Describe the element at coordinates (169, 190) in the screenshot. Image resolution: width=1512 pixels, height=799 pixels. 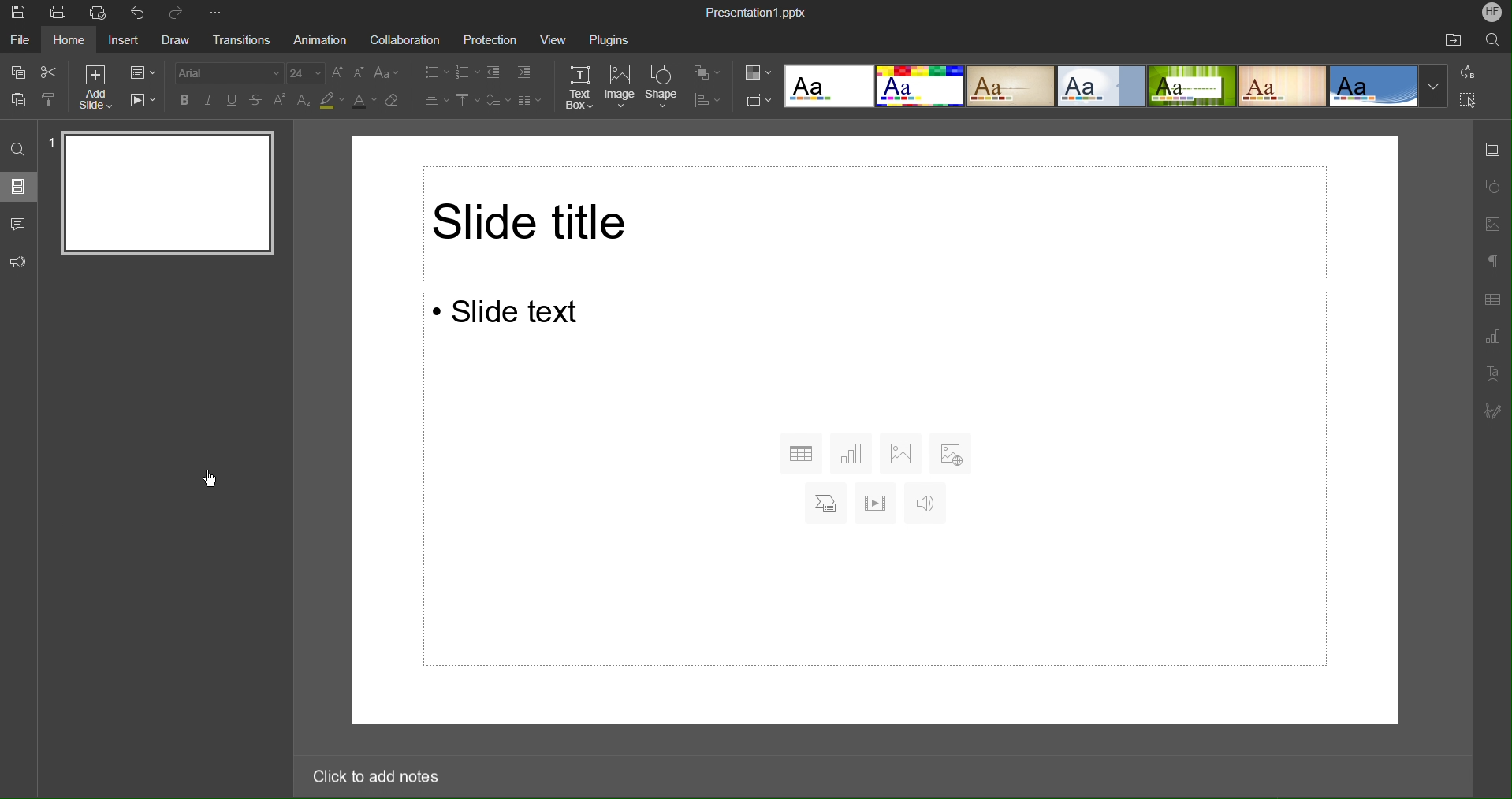
I see `Slide 1` at that location.